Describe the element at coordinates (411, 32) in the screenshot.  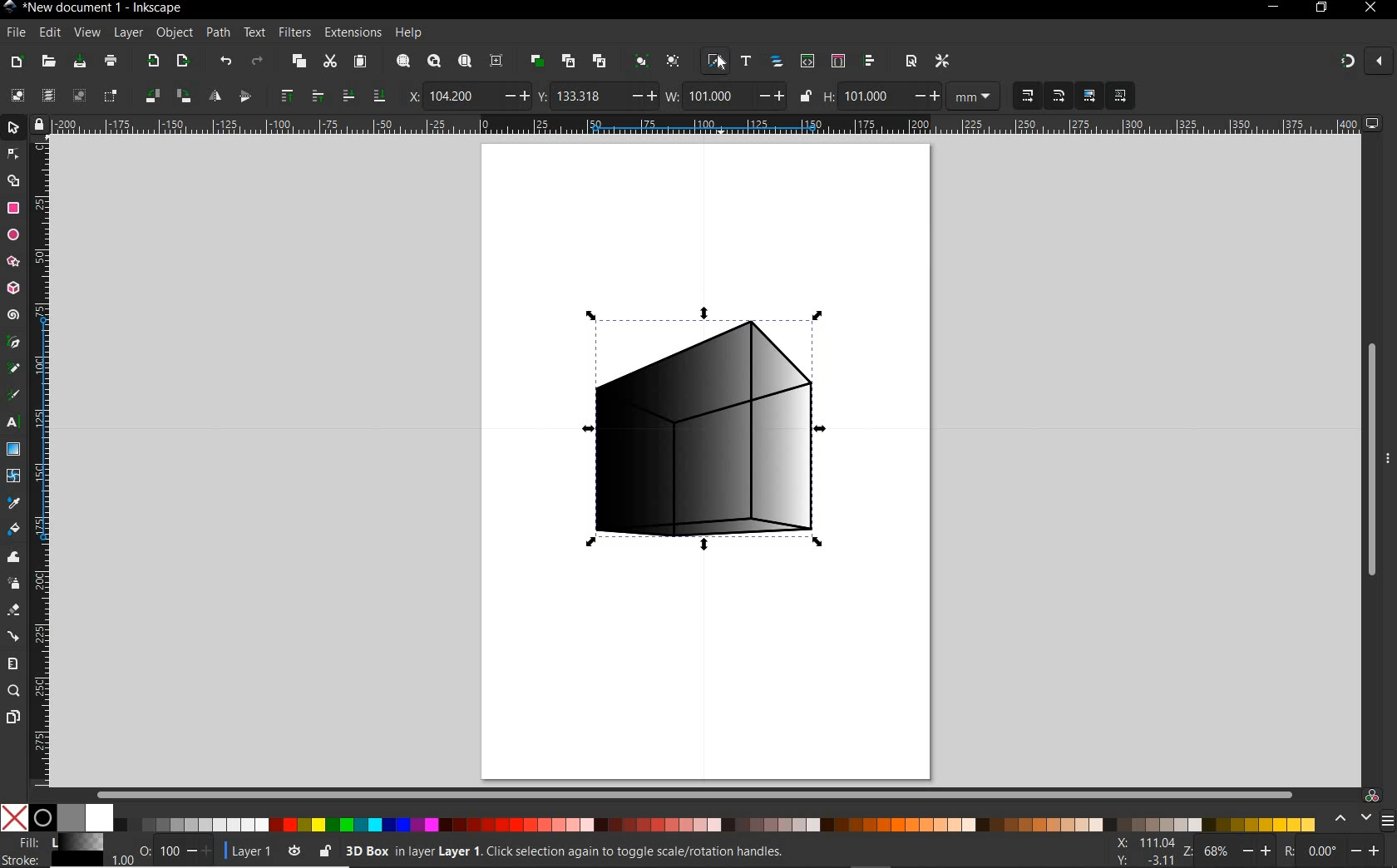
I see `HELP` at that location.